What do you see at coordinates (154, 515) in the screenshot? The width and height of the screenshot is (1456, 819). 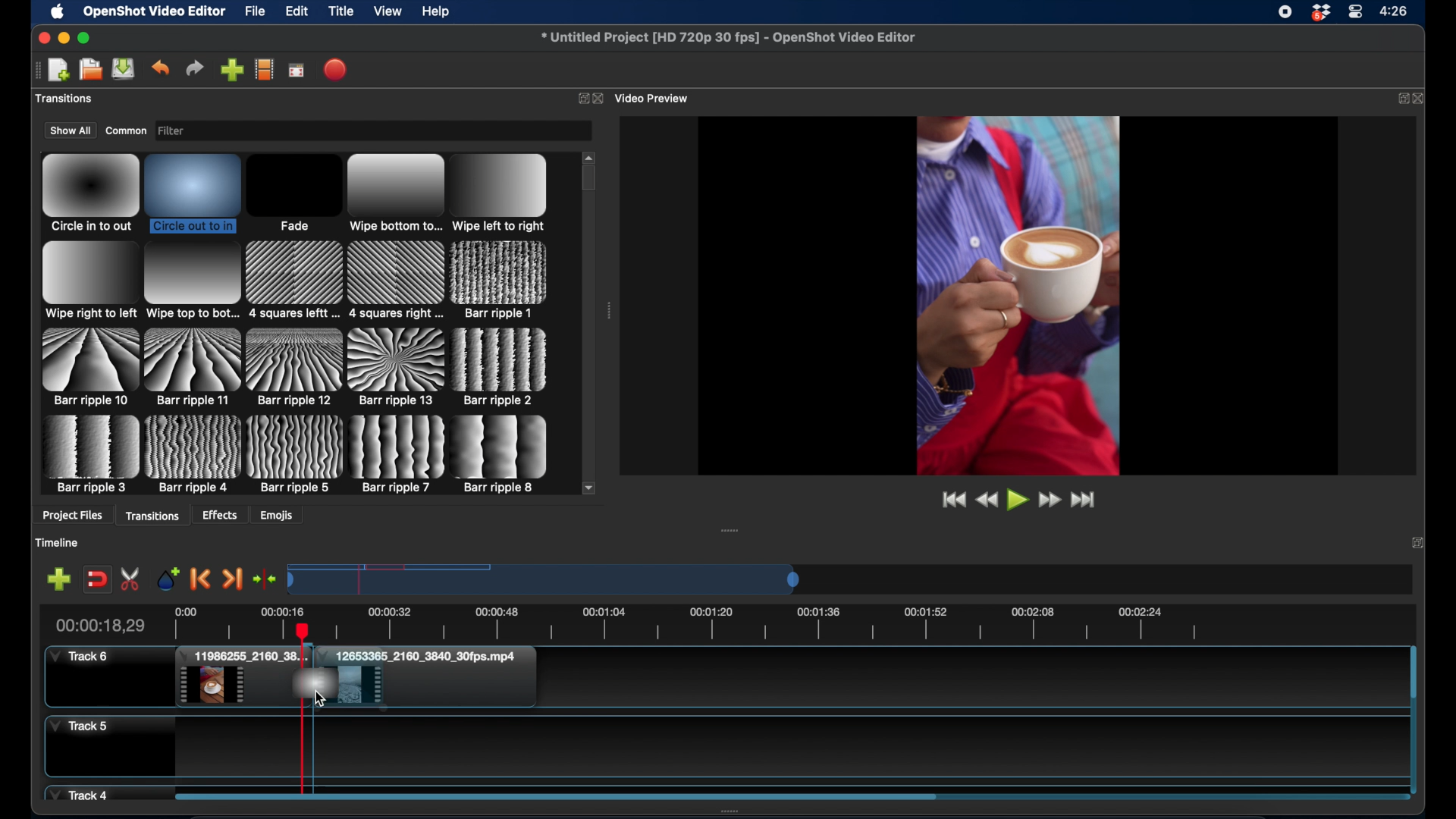 I see `transitions` at bounding box center [154, 515].